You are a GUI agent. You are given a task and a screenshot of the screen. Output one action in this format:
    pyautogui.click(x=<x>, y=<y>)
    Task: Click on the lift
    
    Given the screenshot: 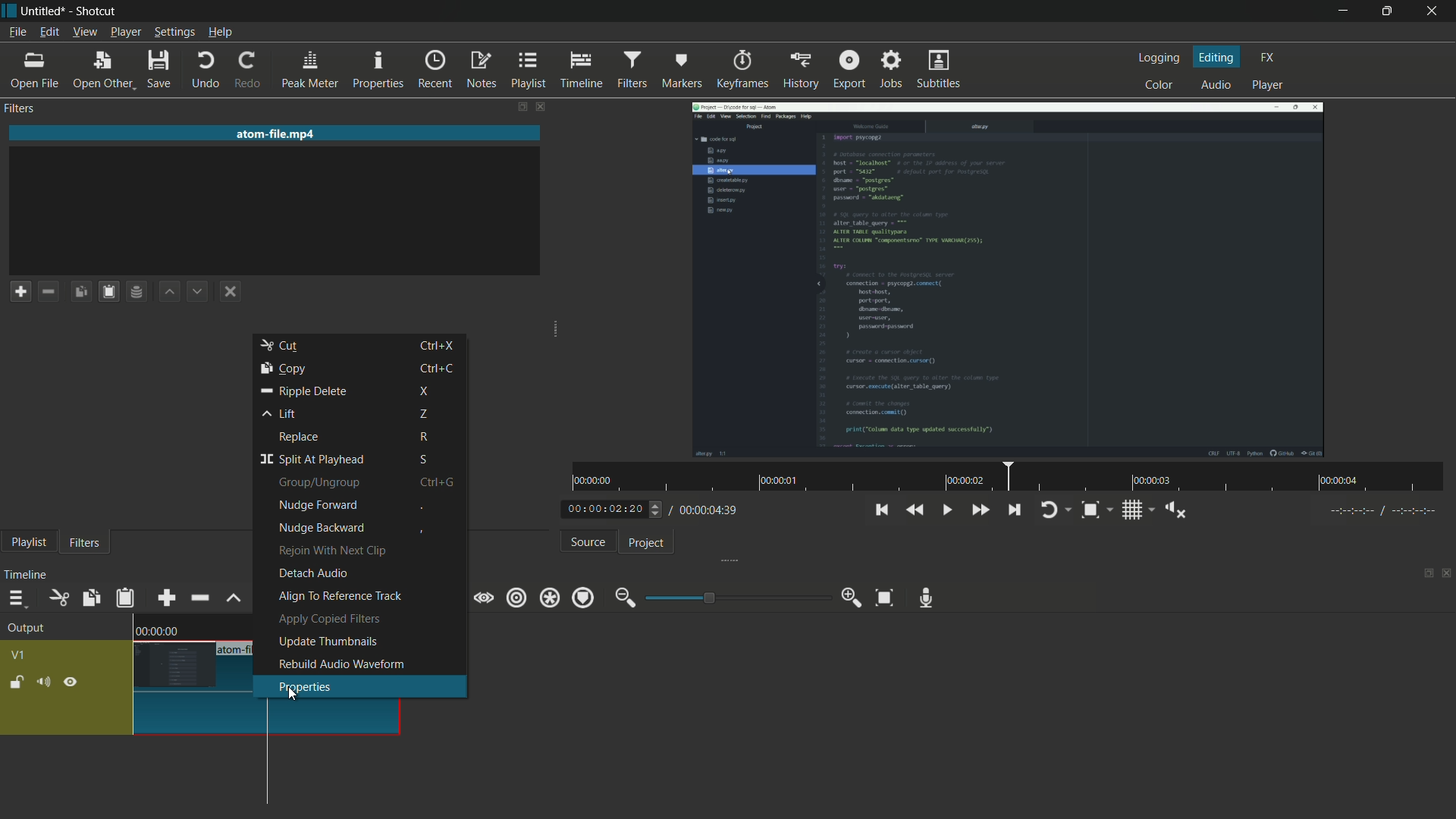 What is the action you would take?
    pyautogui.click(x=236, y=599)
    